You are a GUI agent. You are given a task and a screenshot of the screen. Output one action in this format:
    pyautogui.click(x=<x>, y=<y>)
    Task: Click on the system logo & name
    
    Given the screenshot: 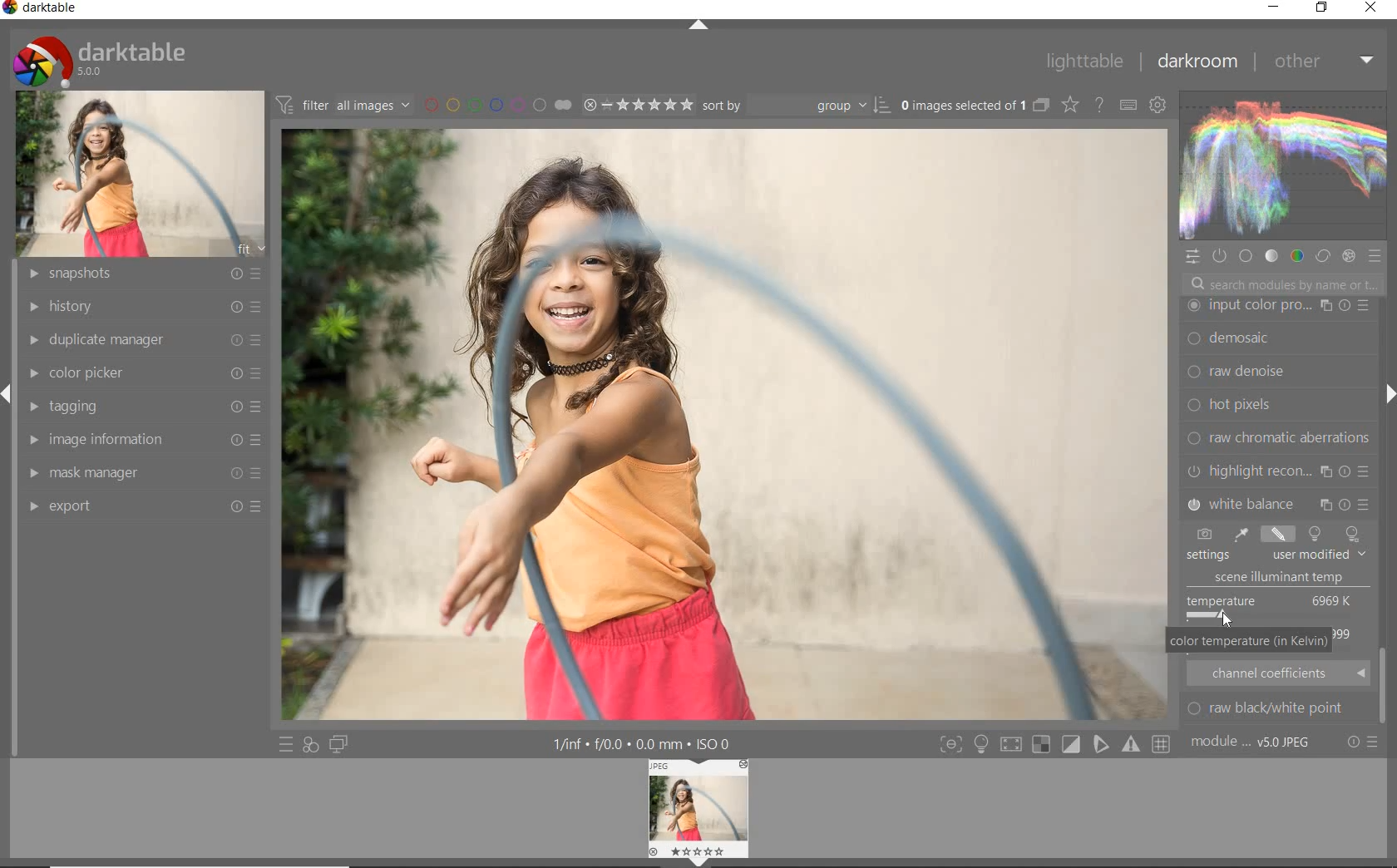 What is the action you would take?
    pyautogui.click(x=103, y=57)
    